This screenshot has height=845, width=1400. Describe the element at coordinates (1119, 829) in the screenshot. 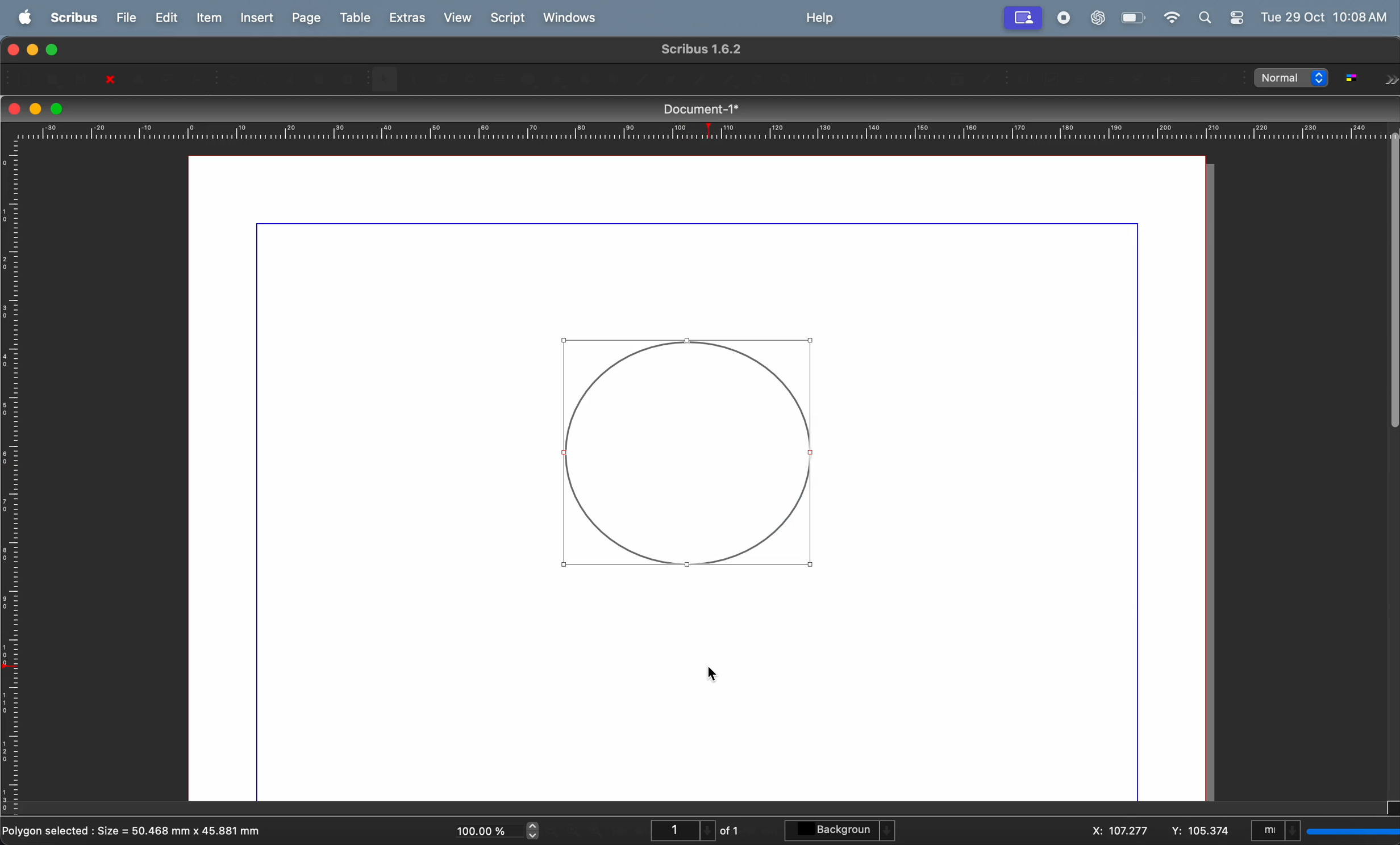

I see `x co ordinate` at that location.